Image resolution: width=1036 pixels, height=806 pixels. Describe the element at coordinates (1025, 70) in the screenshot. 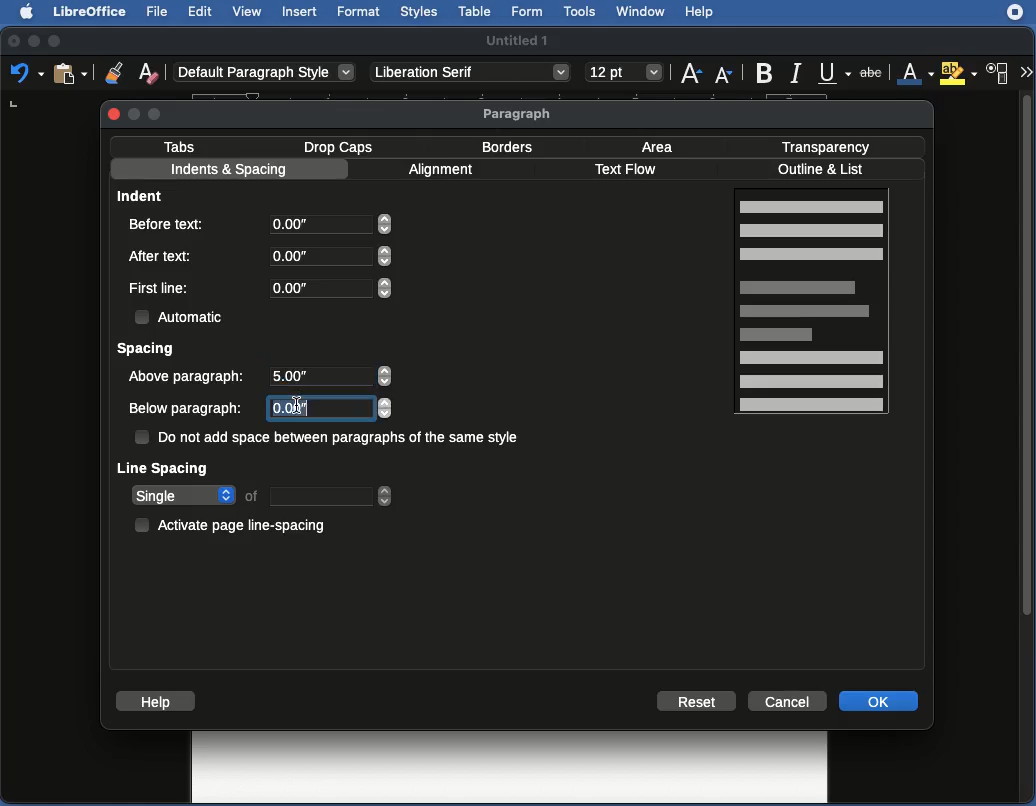

I see `More` at that location.